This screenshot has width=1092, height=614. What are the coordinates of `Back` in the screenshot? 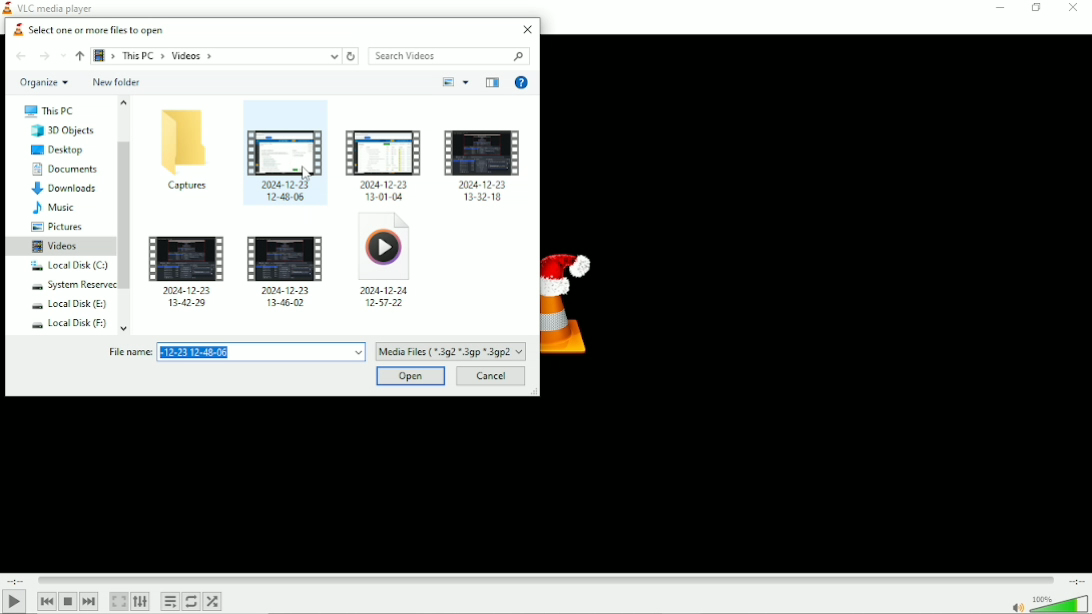 It's located at (21, 56).